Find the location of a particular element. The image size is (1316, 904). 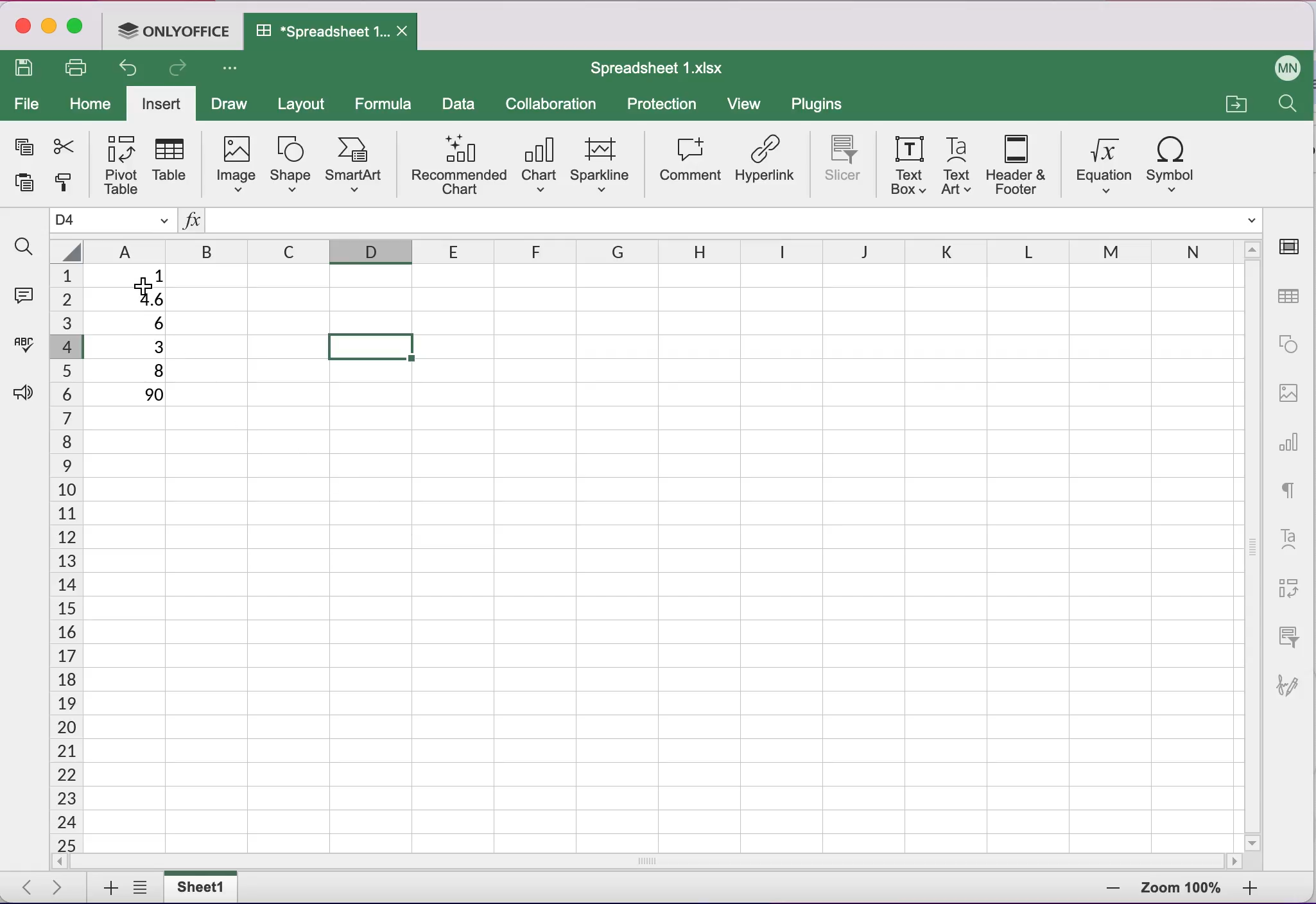

maximize is located at coordinates (76, 30).